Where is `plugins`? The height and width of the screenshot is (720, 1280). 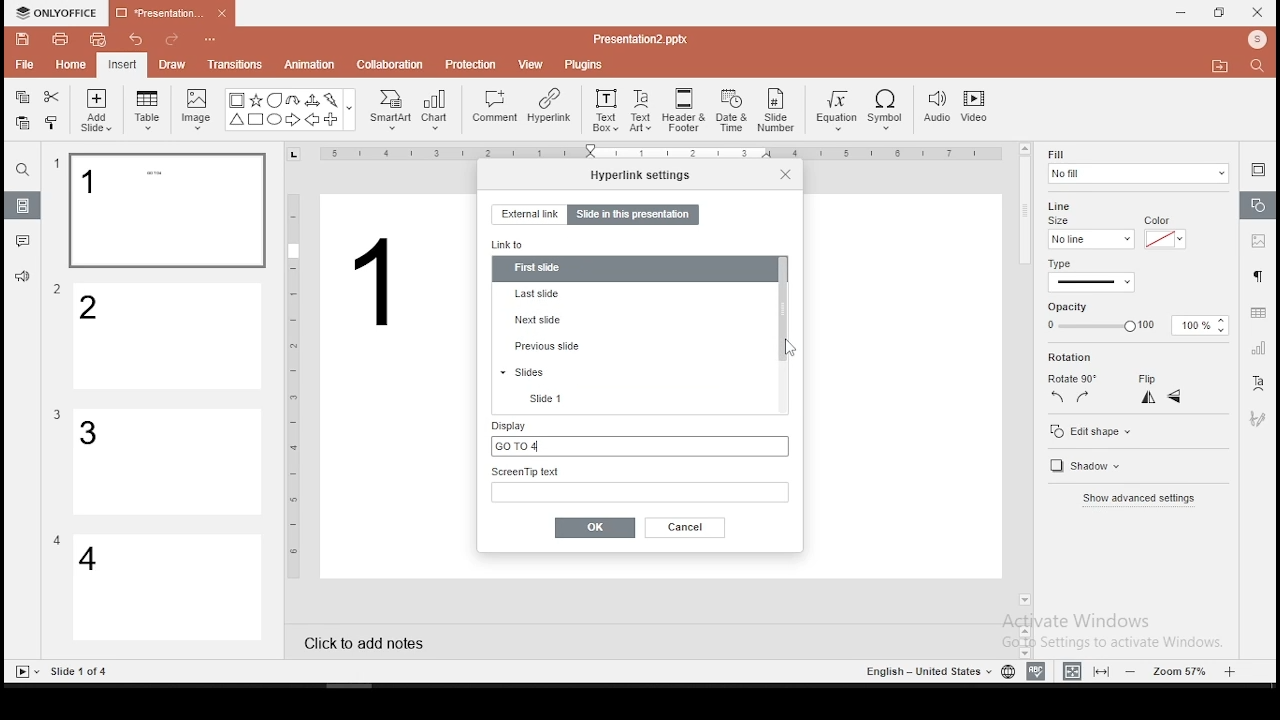
plugins is located at coordinates (585, 61).